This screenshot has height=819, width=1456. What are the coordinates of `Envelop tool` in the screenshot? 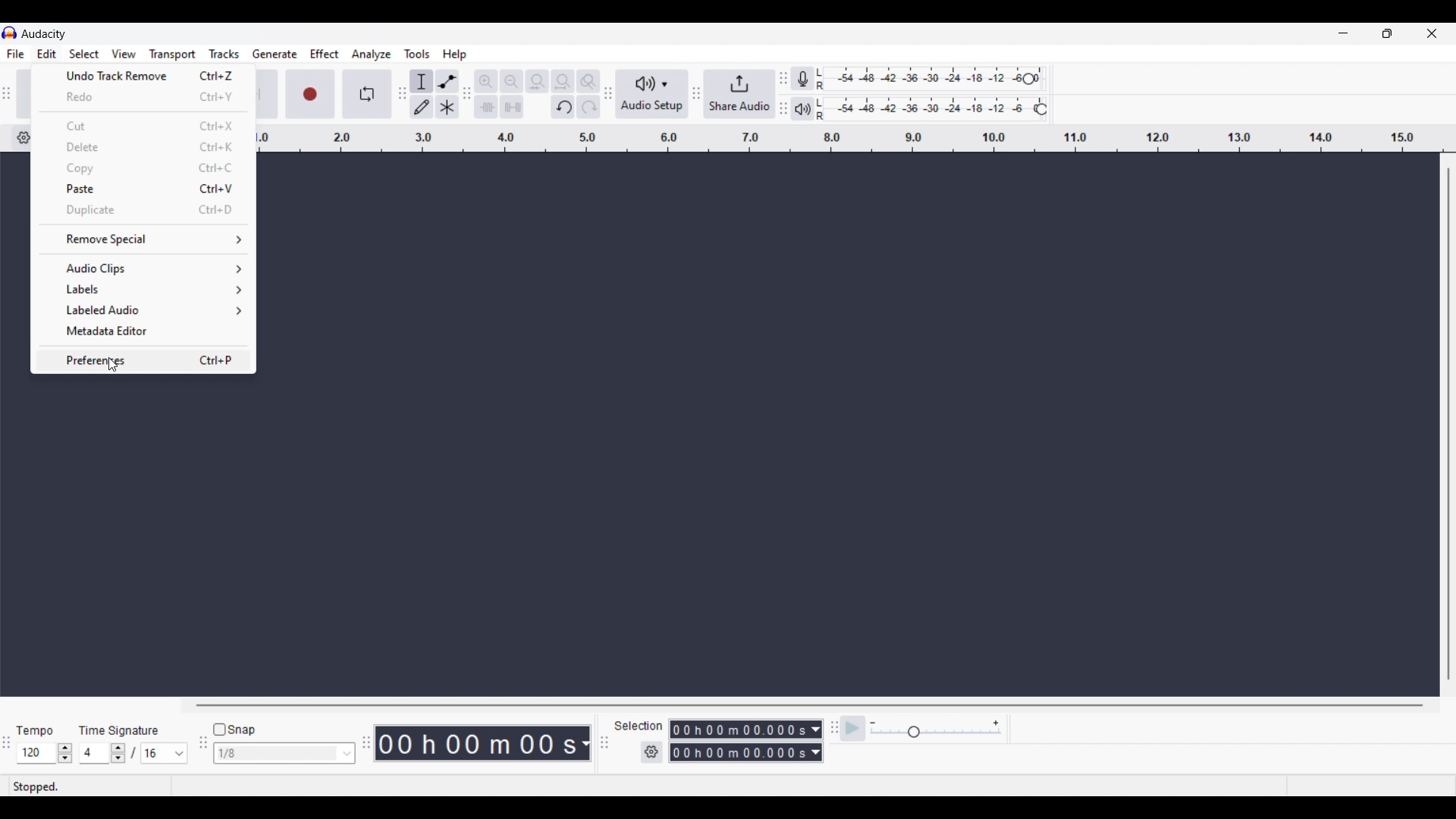 It's located at (447, 81).